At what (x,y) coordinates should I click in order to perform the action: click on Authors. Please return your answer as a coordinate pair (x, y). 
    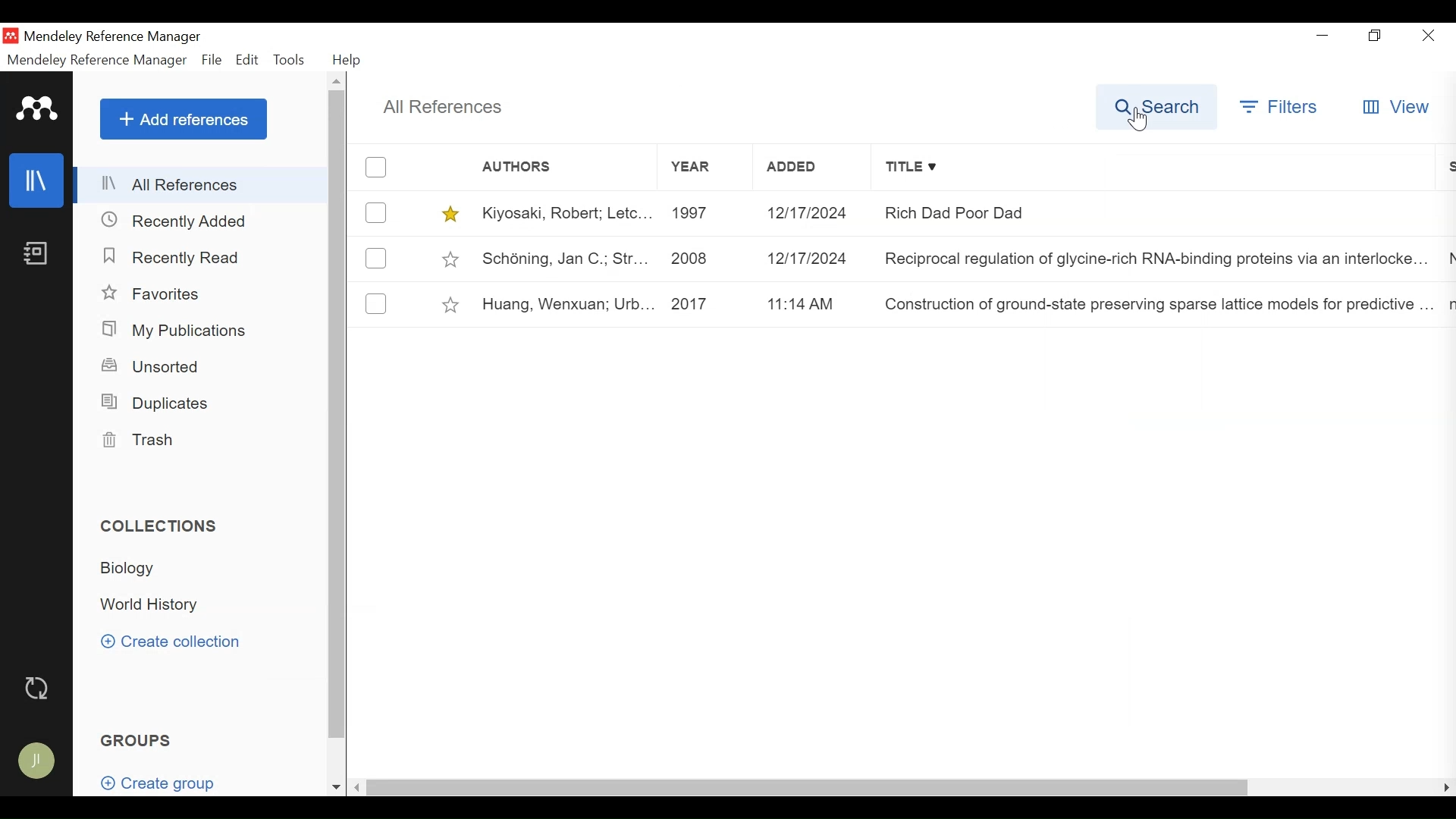
    Looking at the image, I should click on (532, 167).